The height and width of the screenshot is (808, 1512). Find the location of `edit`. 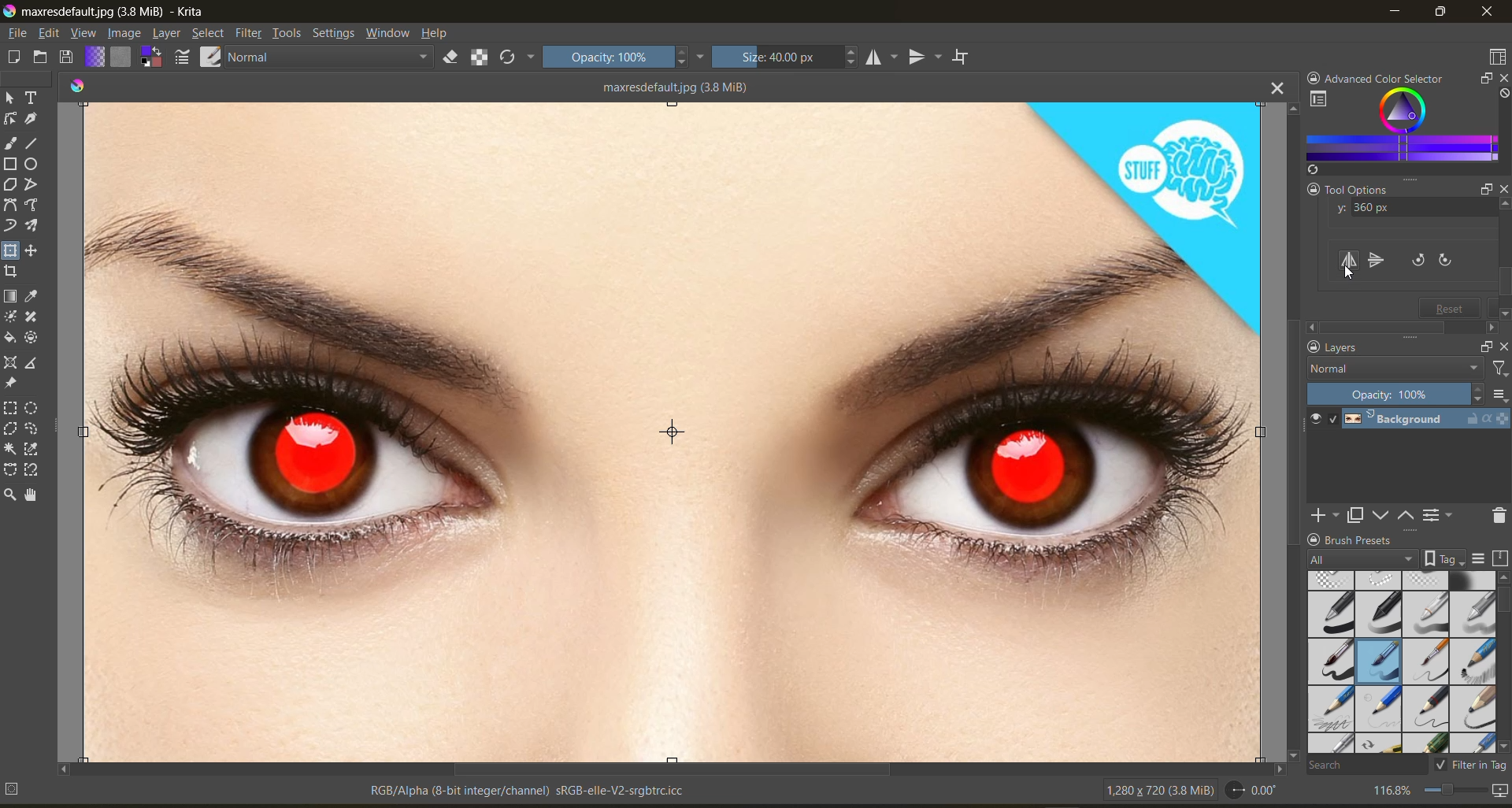

edit is located at coordinates (54, 34).